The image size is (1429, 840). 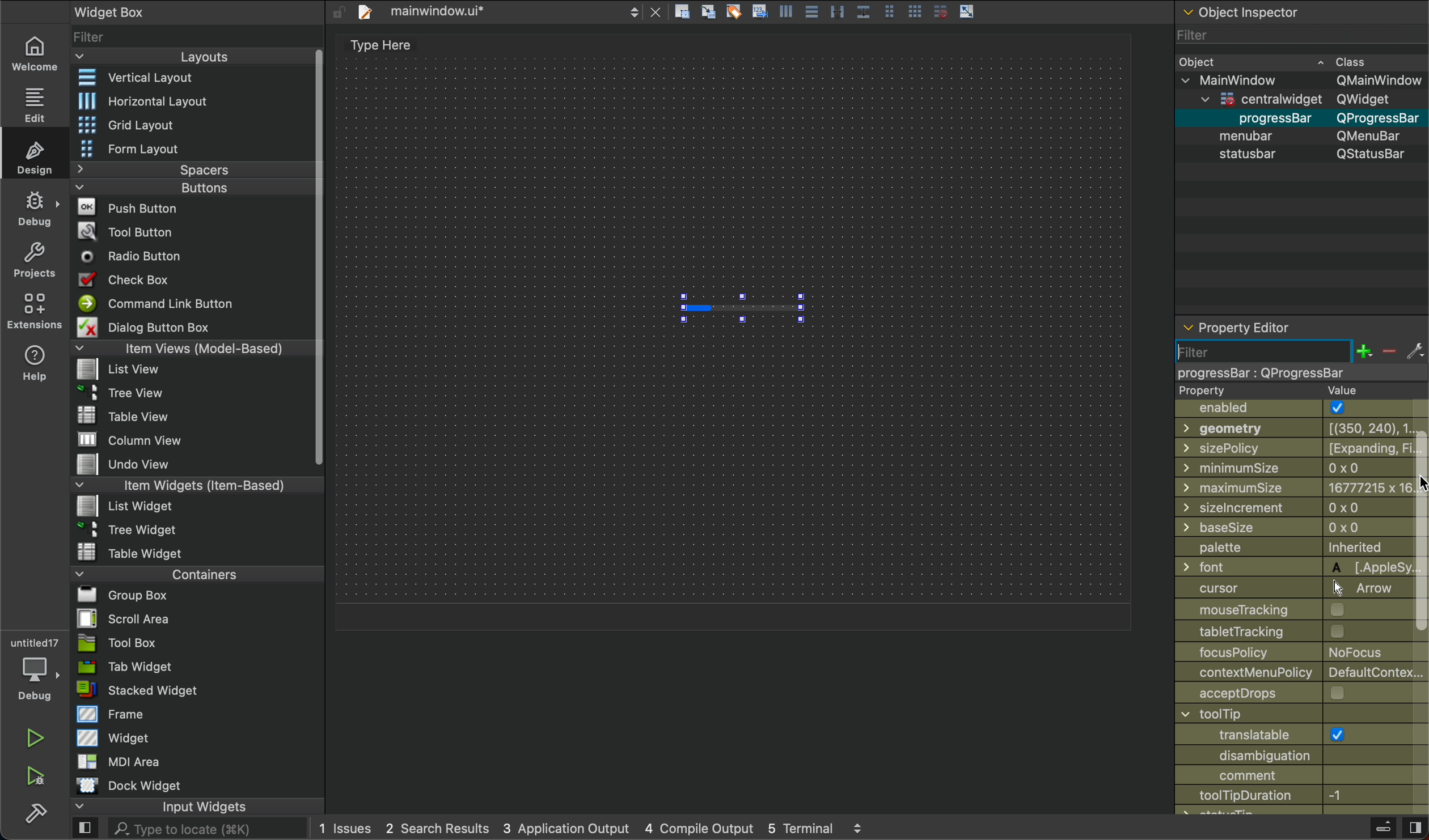 What do you see at coordinates (171, 188) in the screenshot?
I see `Buttons` at bounding box center [171, 188].